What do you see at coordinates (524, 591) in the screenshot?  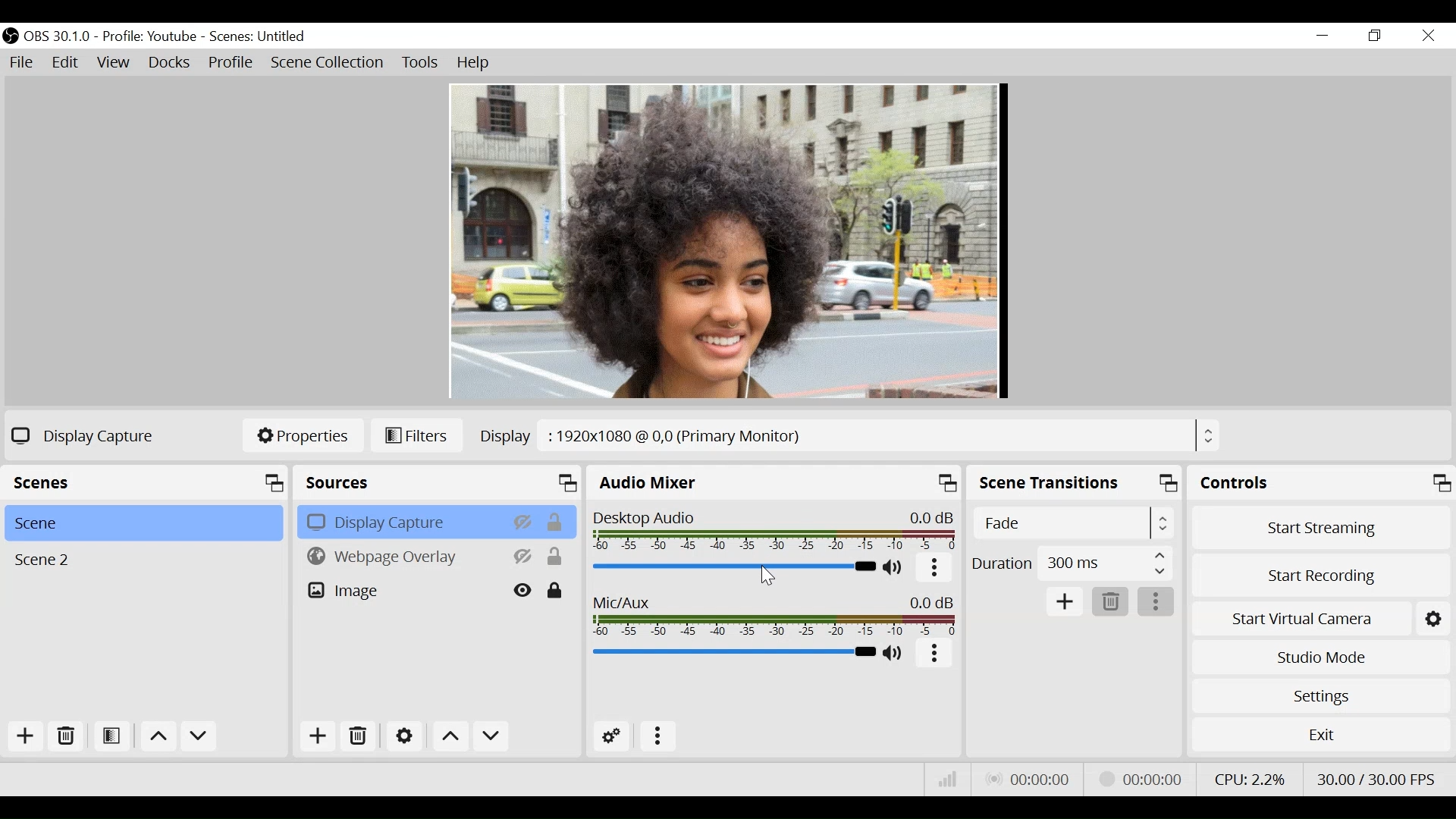 I see `hide/display` at bounding box center [524, 591].